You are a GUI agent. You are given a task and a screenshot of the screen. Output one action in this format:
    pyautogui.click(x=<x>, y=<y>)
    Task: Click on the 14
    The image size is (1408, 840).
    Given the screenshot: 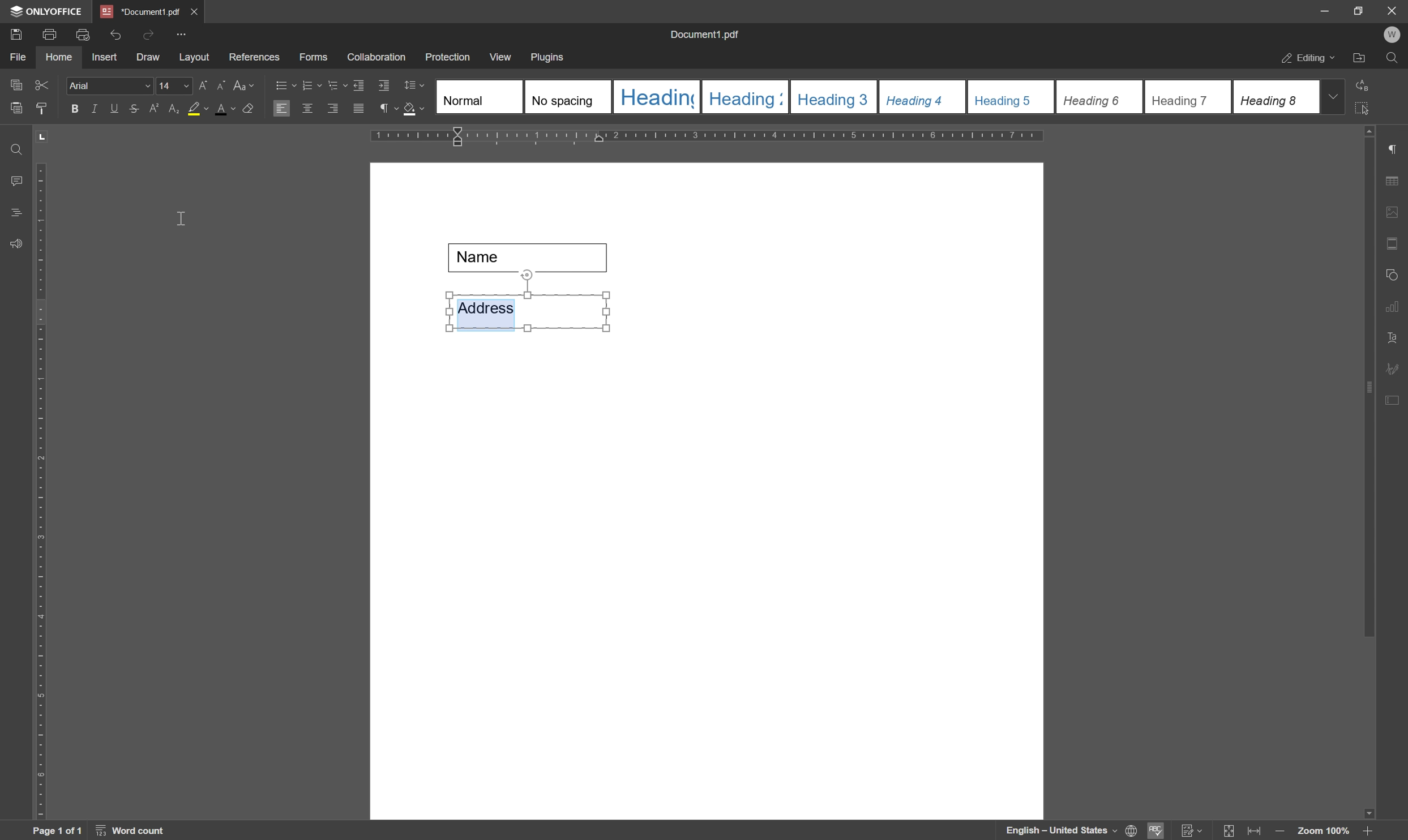 What is the action you would take?
    pyautogui.click(x=173, y=87)
    